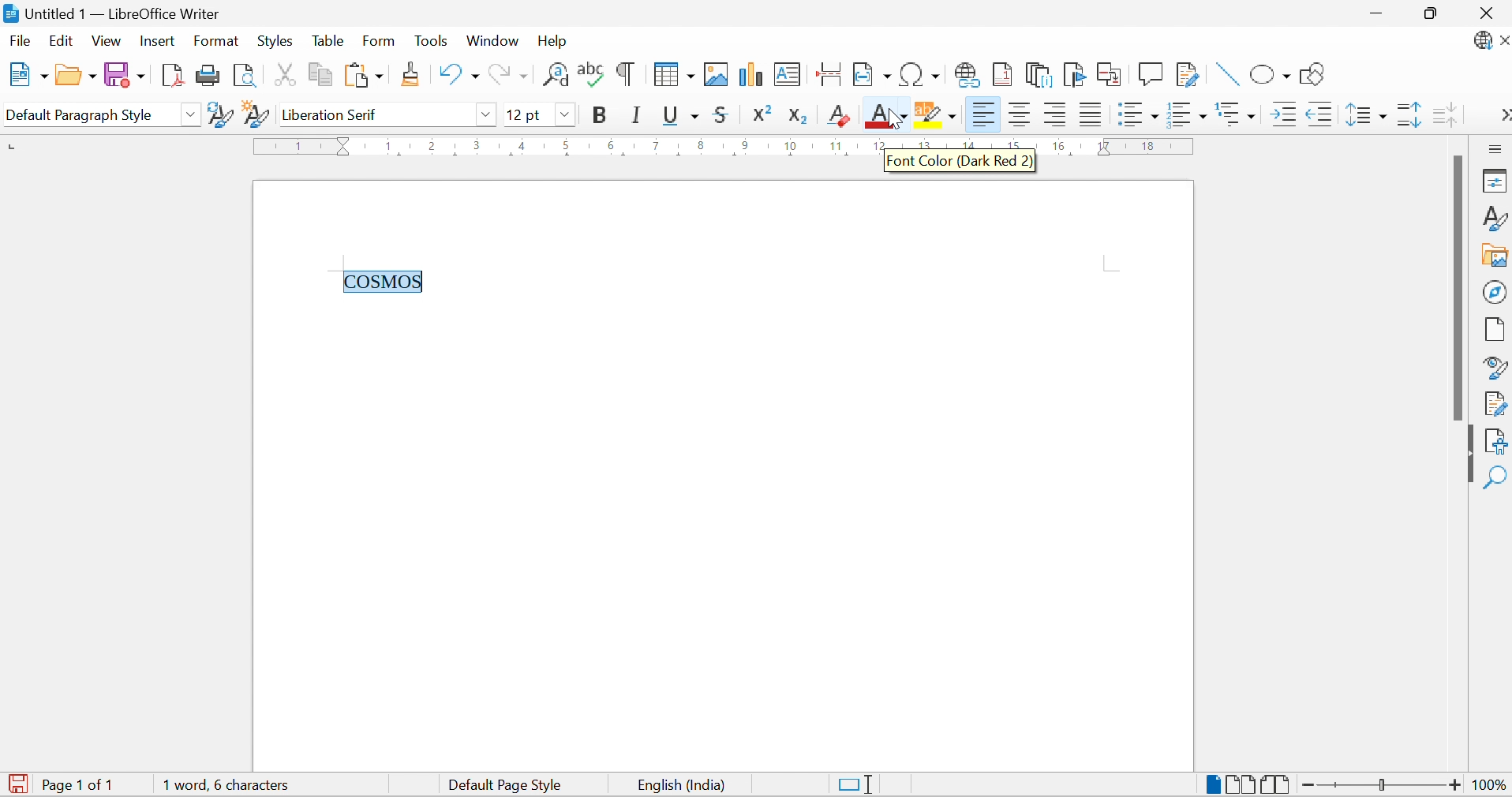 The image size is (1512, 797). I want to click on Undo, so click(456, 75).